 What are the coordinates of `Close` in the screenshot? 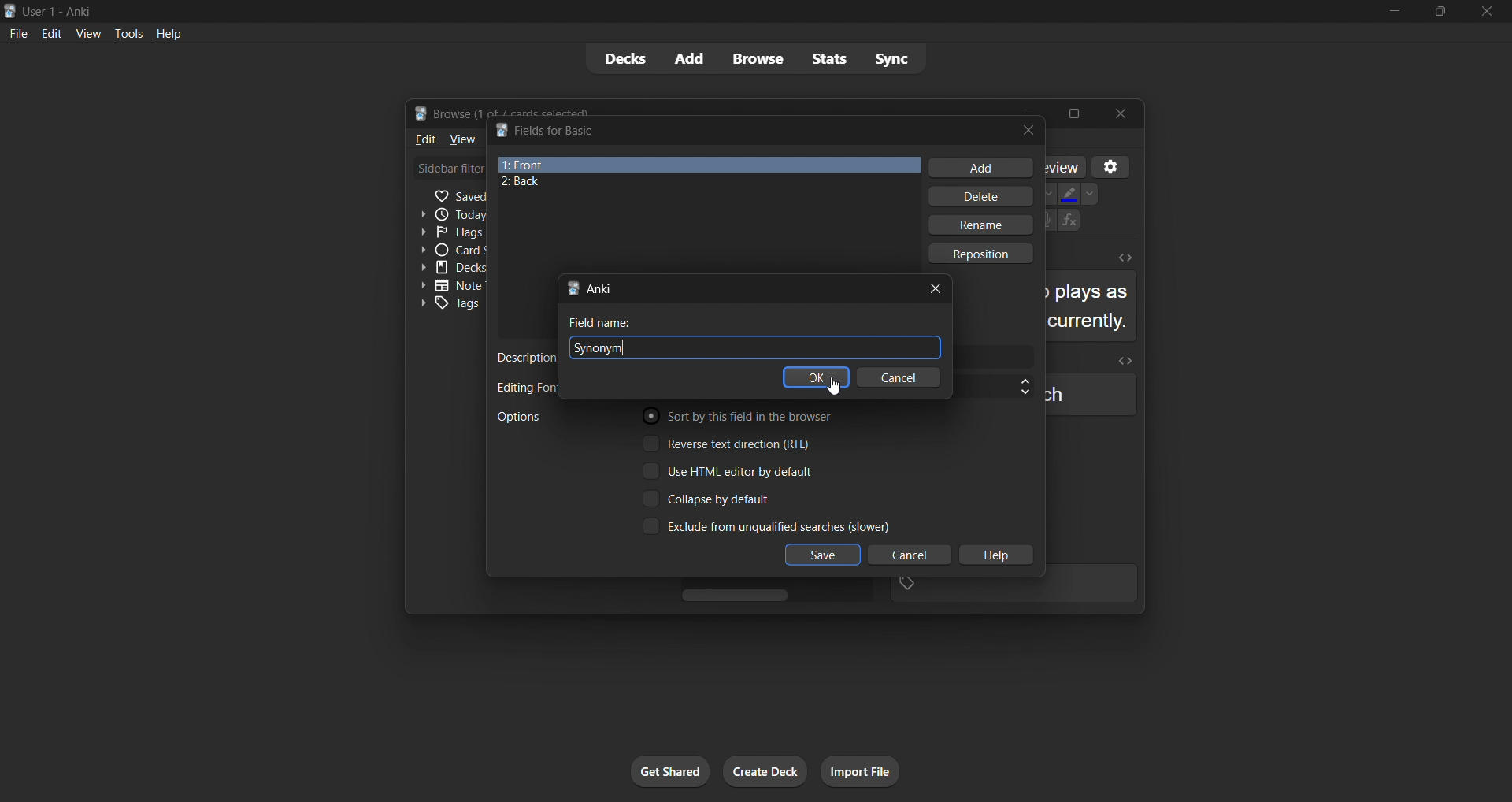 It's located at (1124, 114).